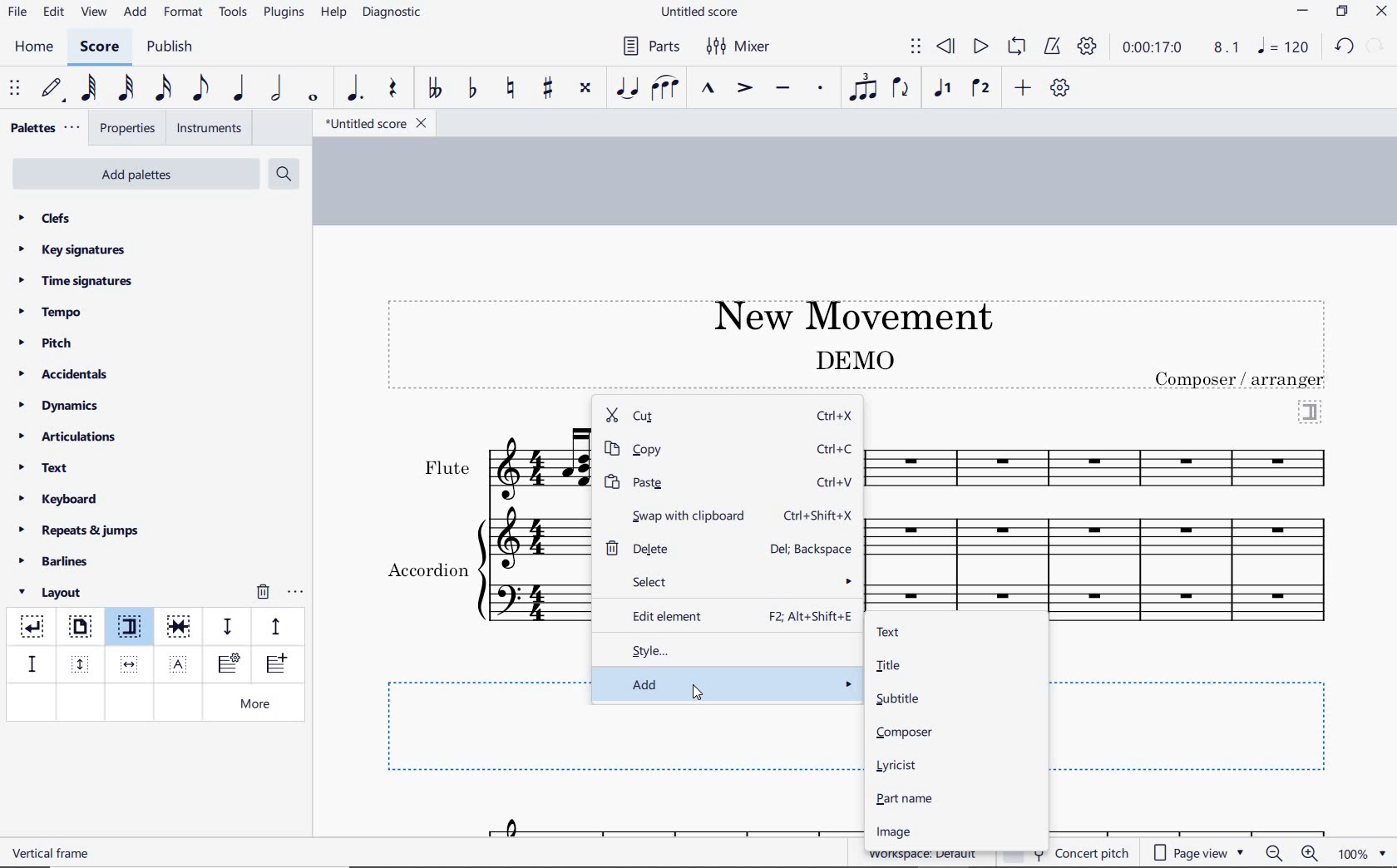 The height and width of the screenshot is (868, 1397). Describe the element at coordinates (887, 665) in the screenshot. I see `title` at that location.